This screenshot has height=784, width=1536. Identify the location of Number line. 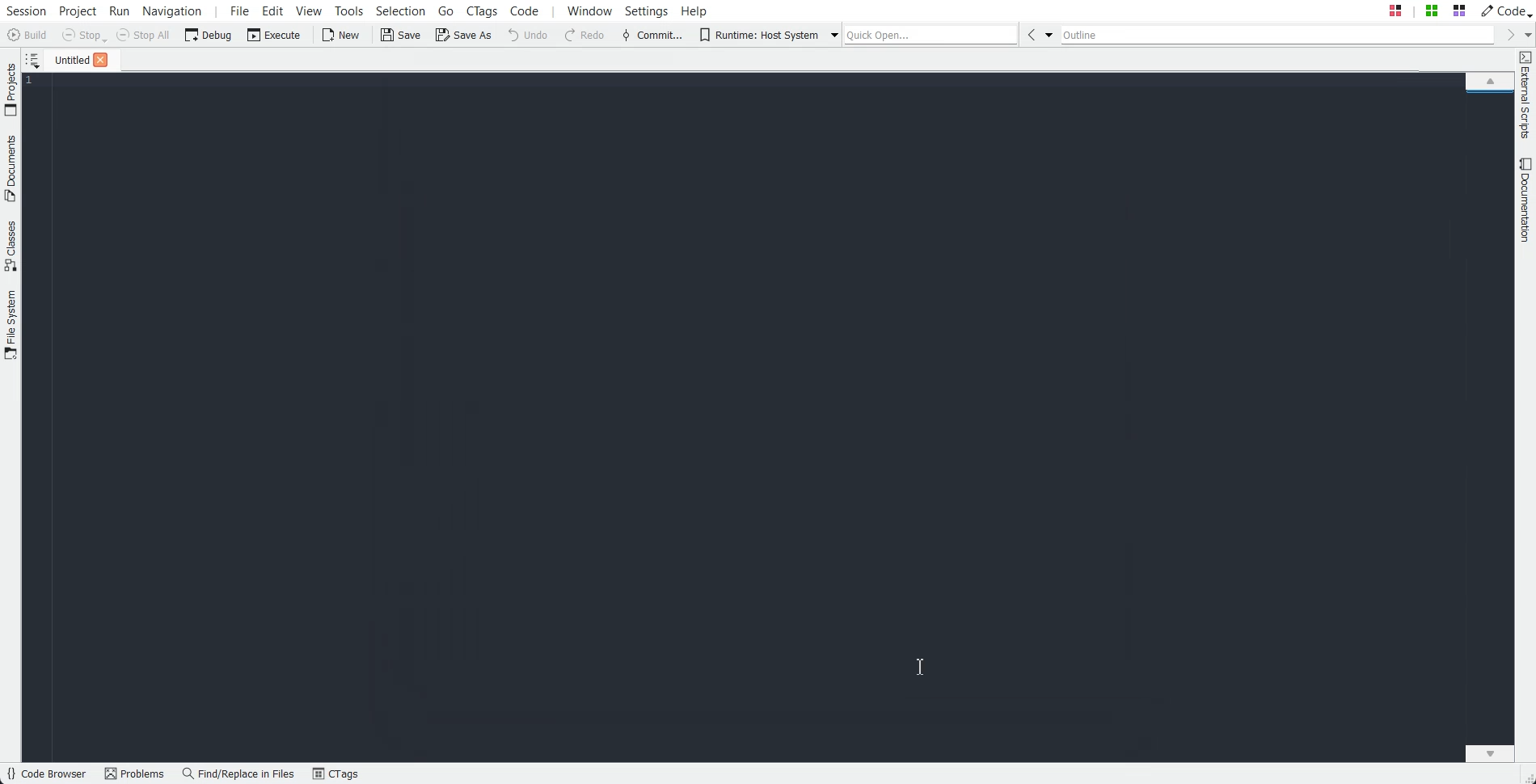
(34, 81).